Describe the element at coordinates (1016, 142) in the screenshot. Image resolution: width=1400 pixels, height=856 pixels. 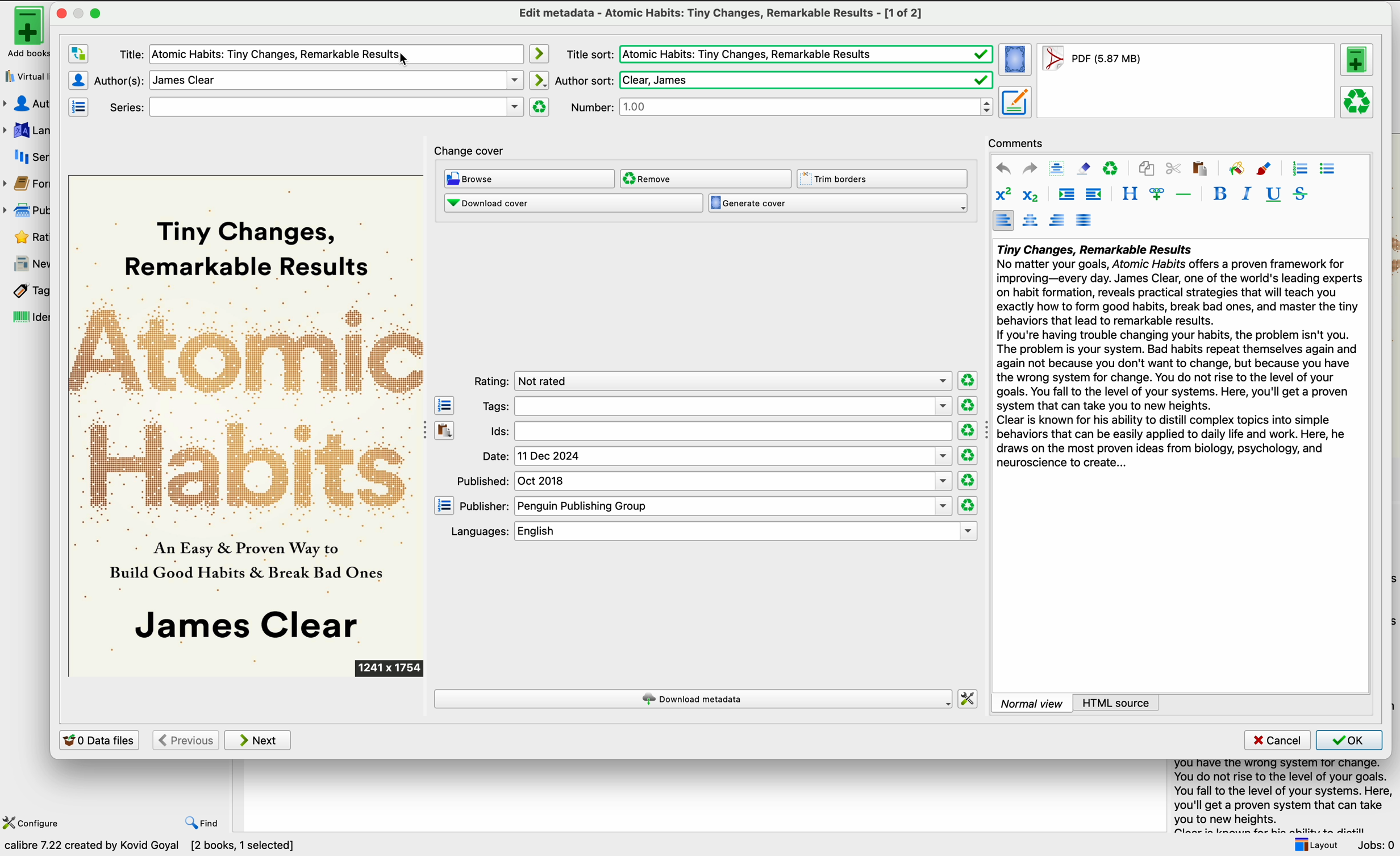
I see `comments` at that location.